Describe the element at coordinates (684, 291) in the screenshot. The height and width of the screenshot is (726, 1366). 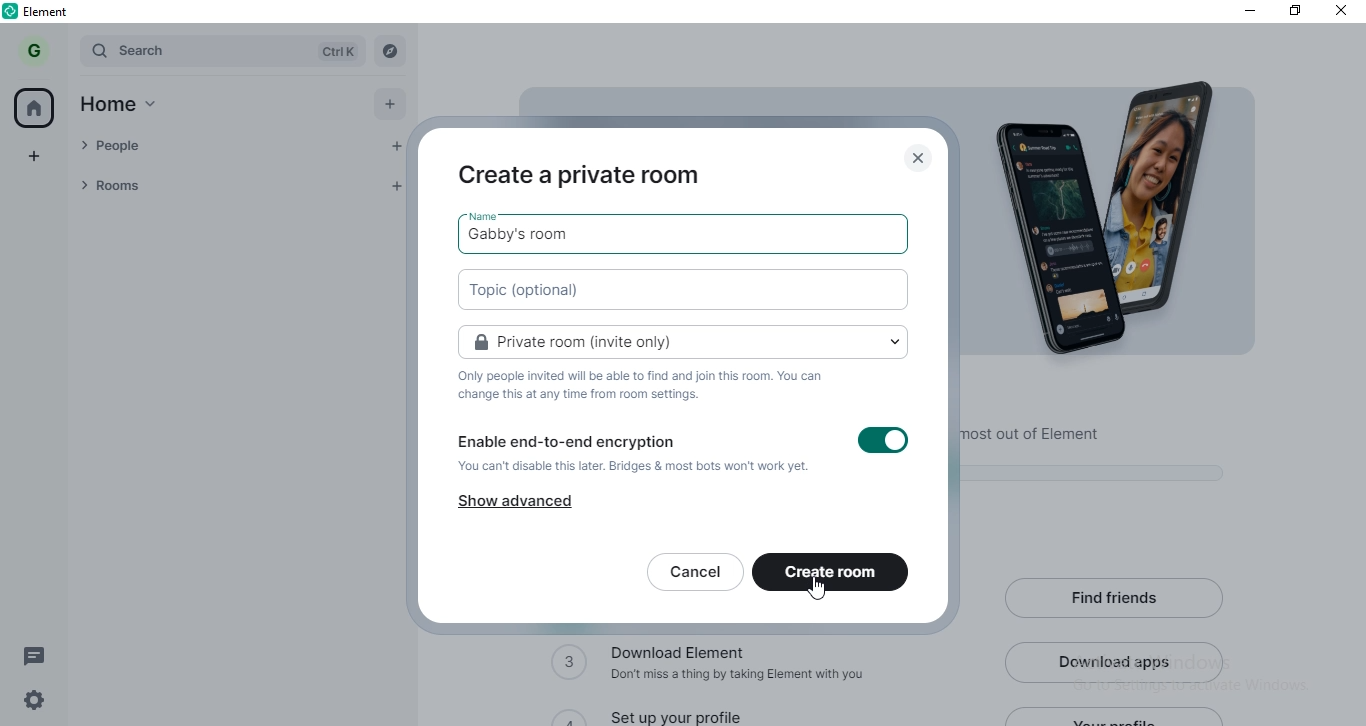
I see `new video room` at that location.